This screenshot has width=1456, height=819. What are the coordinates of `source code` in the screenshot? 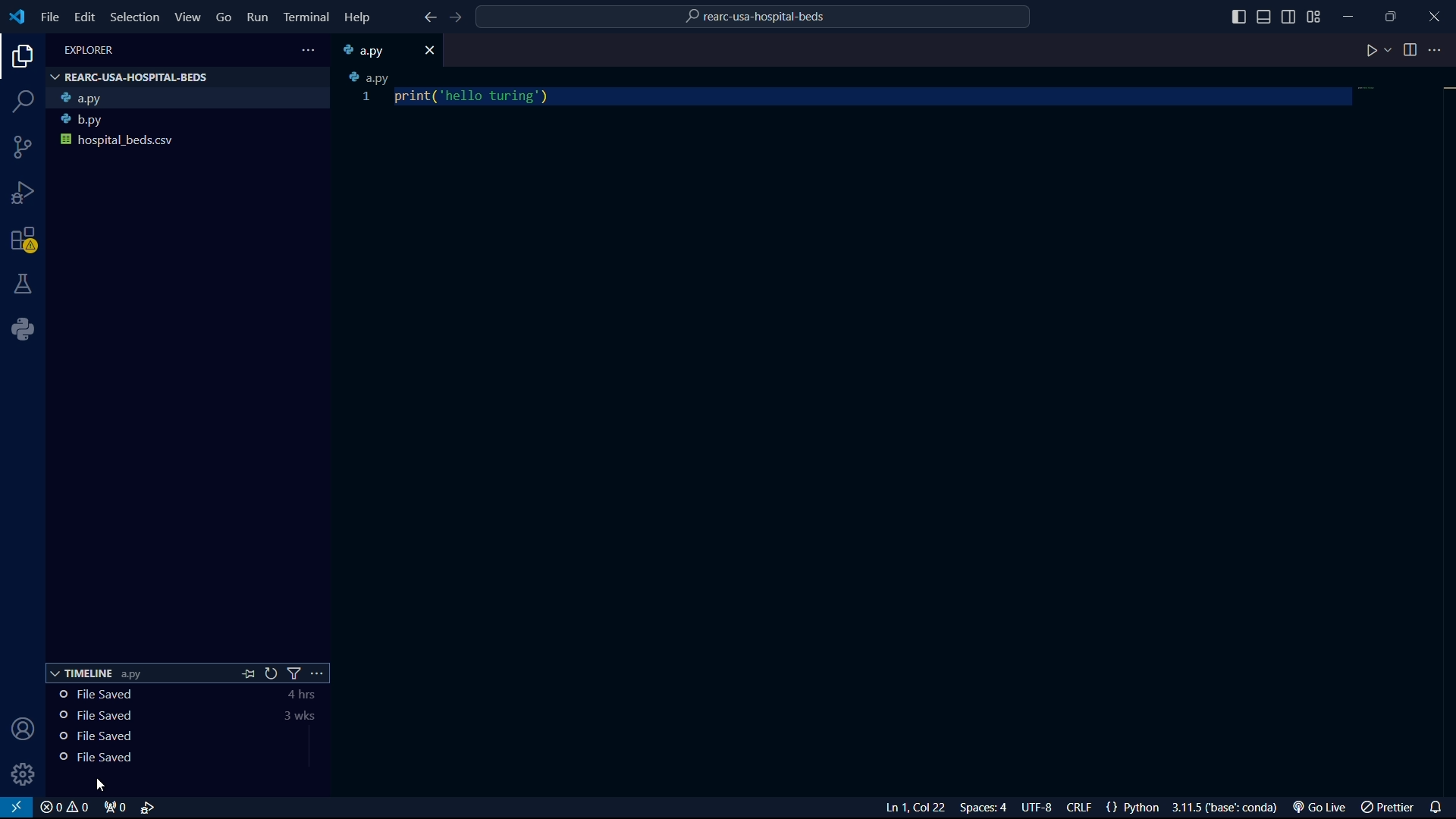 It's located at (24, 147).